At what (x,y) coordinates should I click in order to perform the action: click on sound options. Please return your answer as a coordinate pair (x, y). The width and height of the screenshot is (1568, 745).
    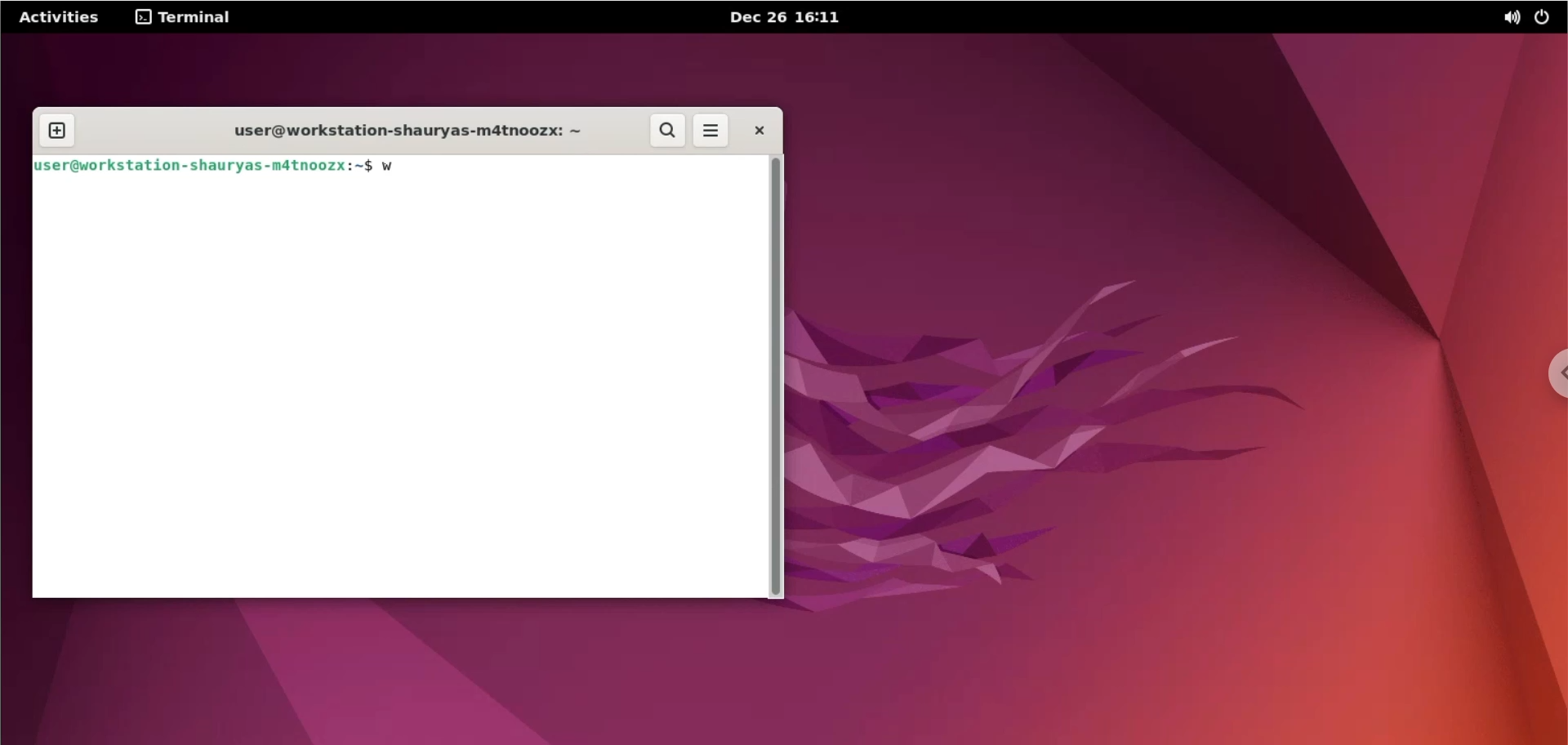
    Looking at the image, I should click on (1508, 20).